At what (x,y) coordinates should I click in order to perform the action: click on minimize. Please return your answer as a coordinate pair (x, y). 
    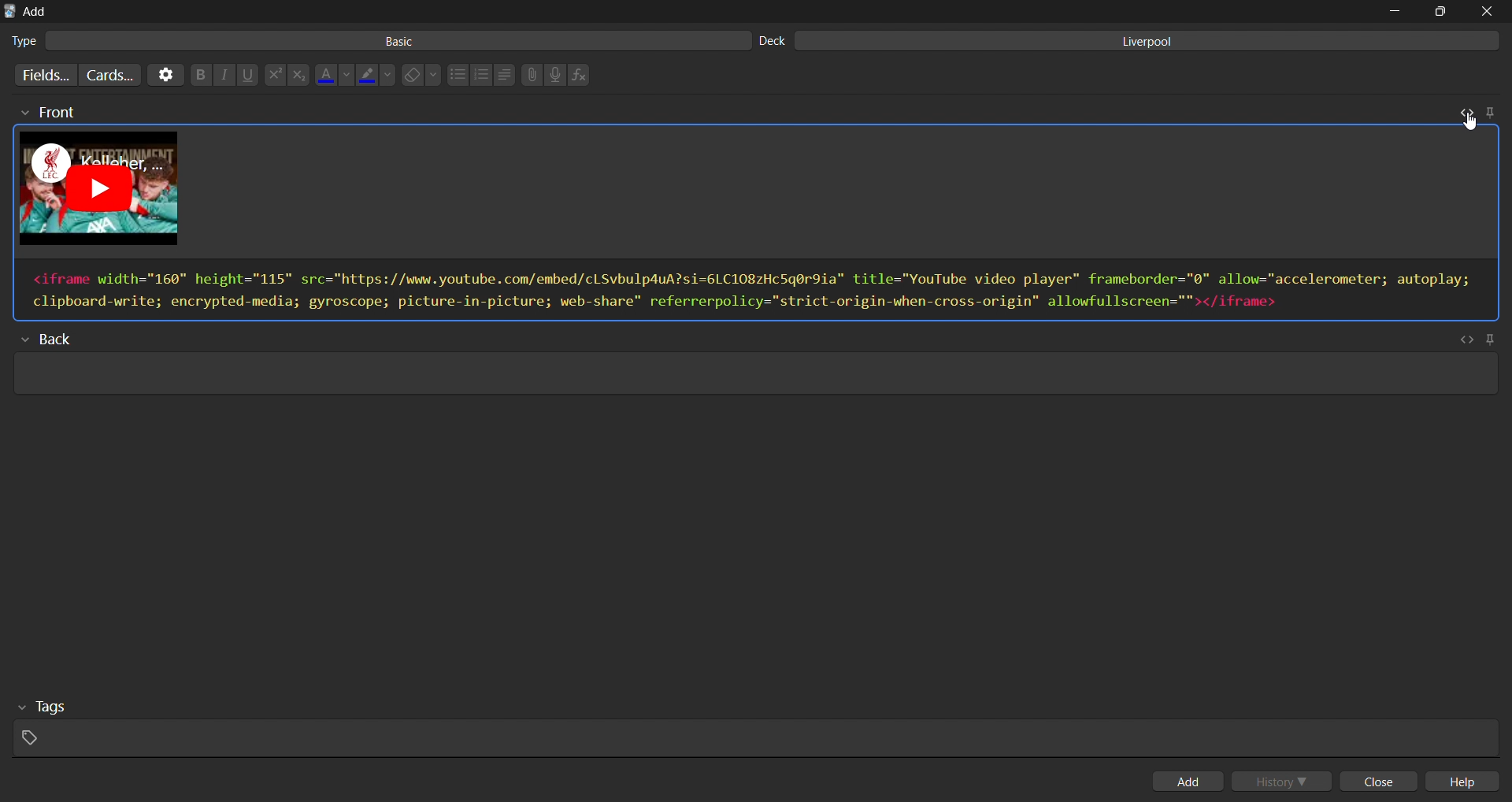
    Looking at the image, I should click on (1393, 11).